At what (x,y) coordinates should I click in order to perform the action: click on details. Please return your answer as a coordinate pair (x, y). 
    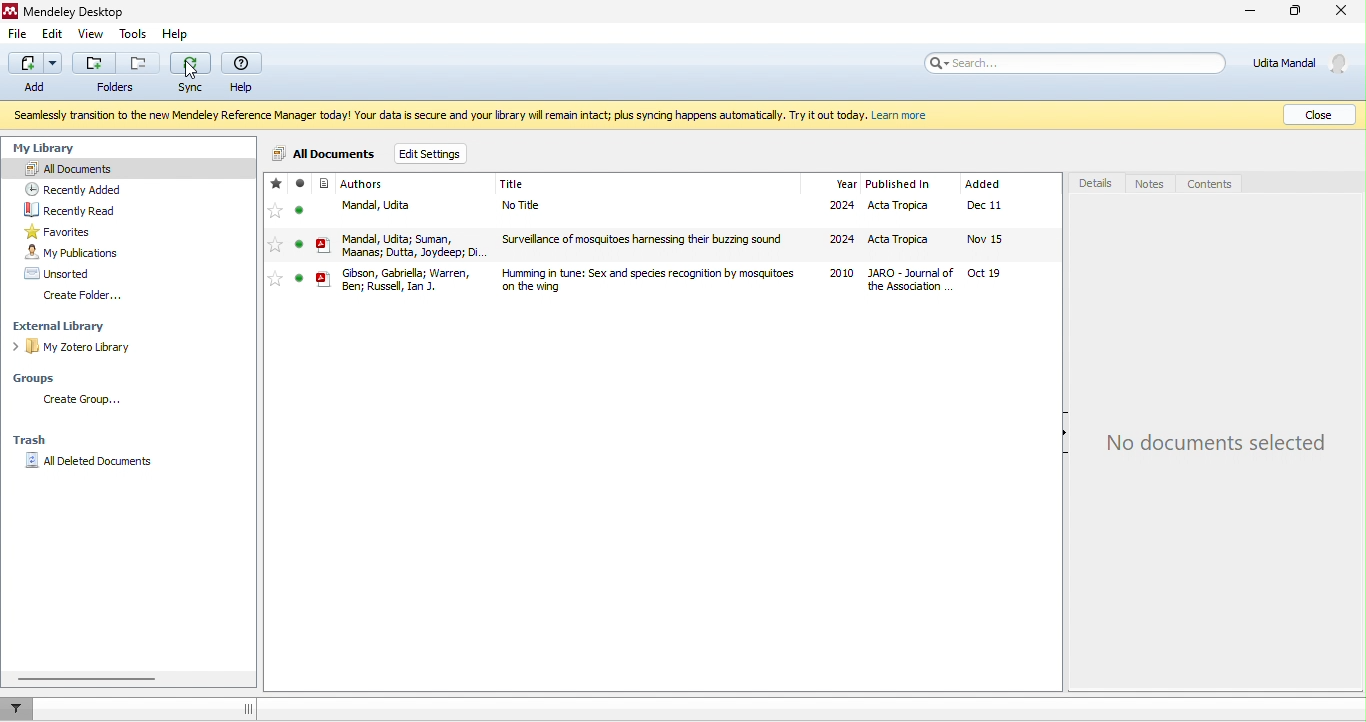
    Looking at the image, I should click on (1096, 182).